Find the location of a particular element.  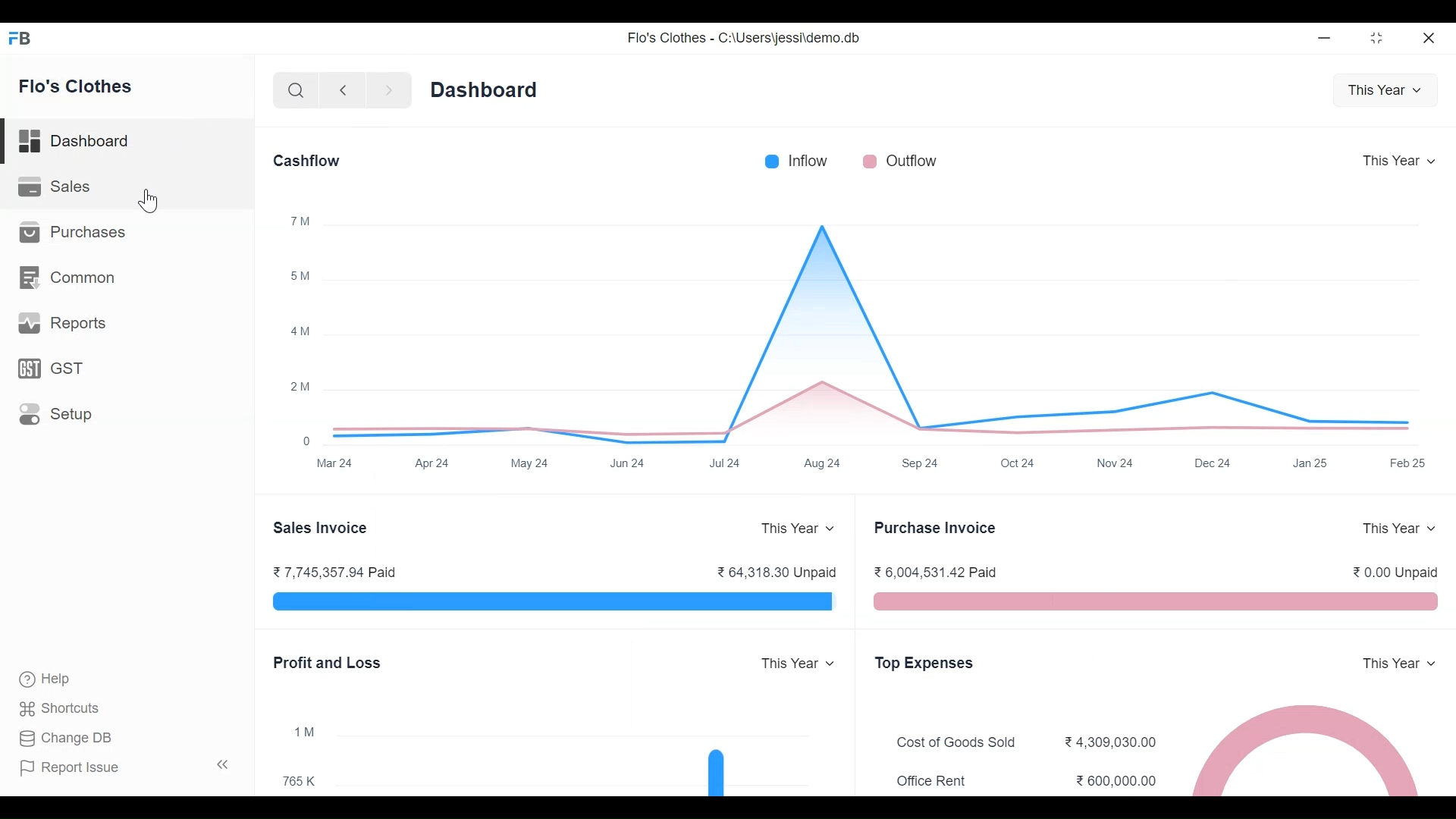

Flo's Clothes is located at coordinates (78, 86).